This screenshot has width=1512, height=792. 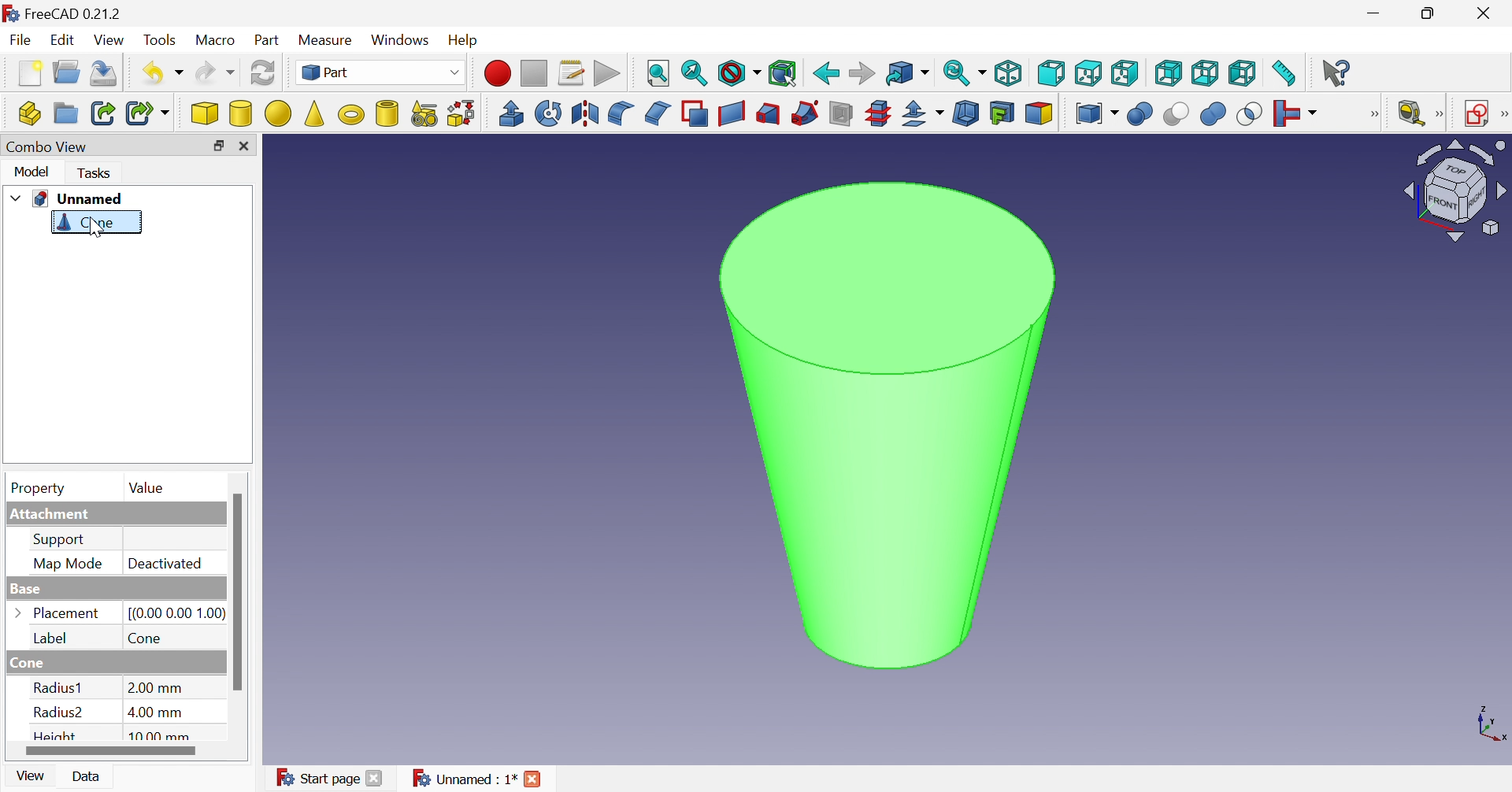 What do you see at coordinates (1125, 73) in the screenshot?
I see `Right` at bounding box center [1125, 73].